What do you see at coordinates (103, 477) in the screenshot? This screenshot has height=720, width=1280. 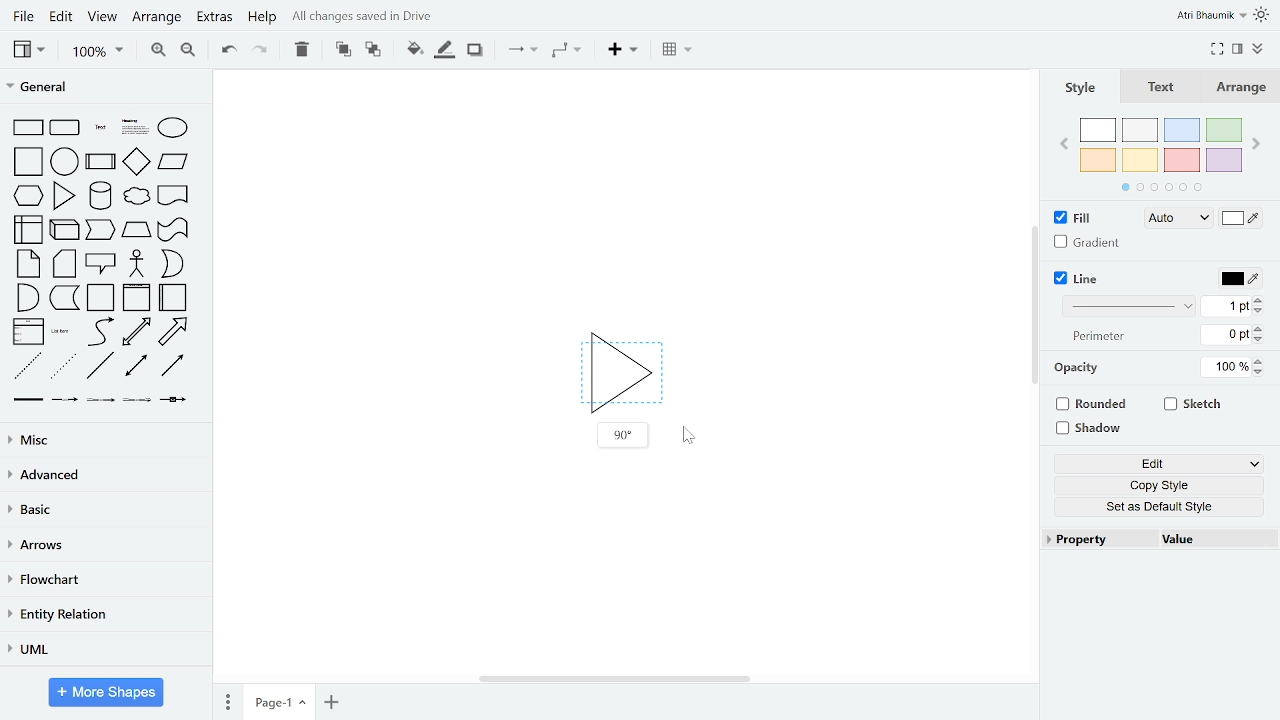 I see `advanced` at bounding box center [103, 477].